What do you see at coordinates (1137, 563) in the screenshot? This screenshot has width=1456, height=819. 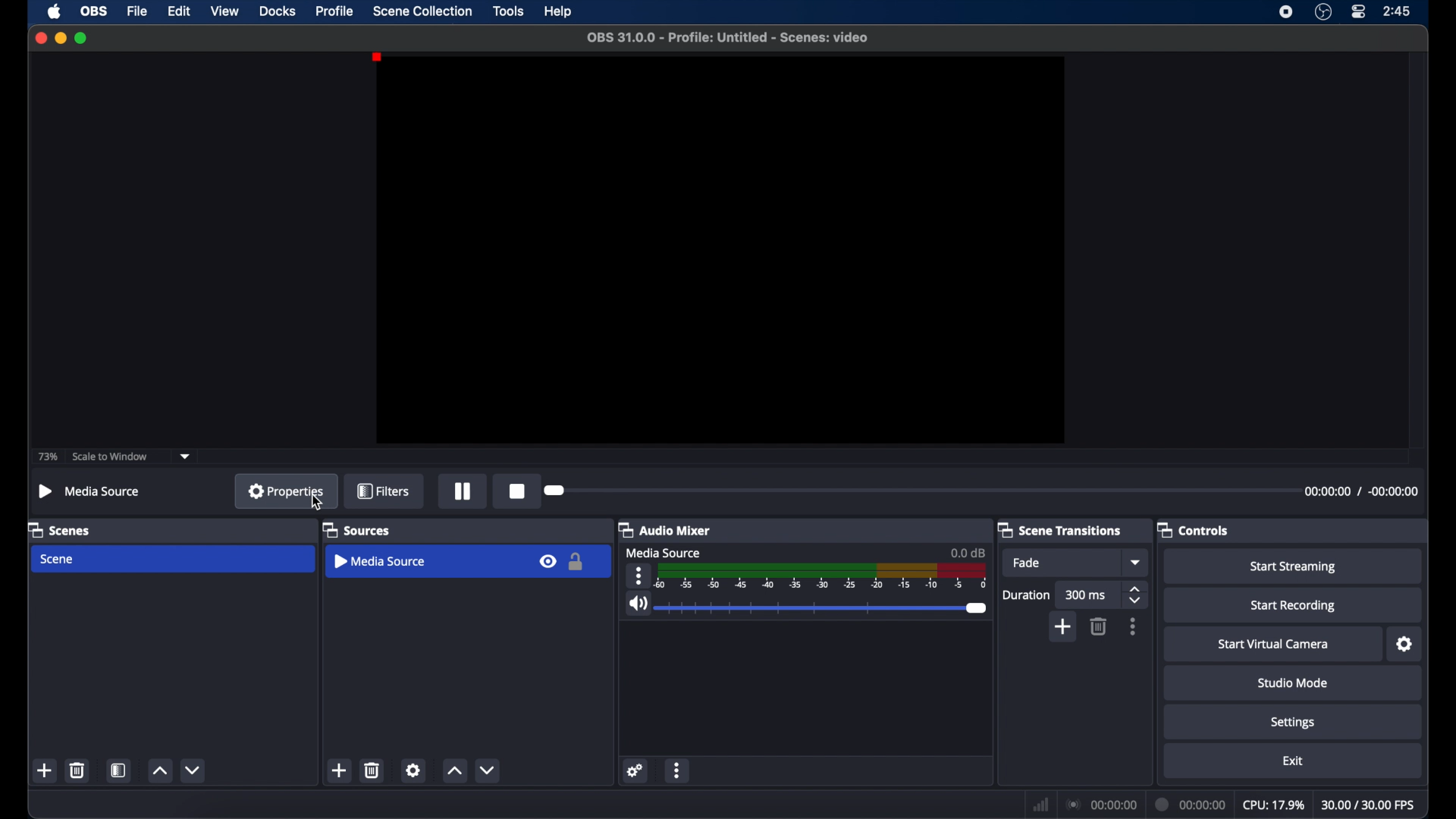 I see `dropdown` at bounding box center [1137, 563].